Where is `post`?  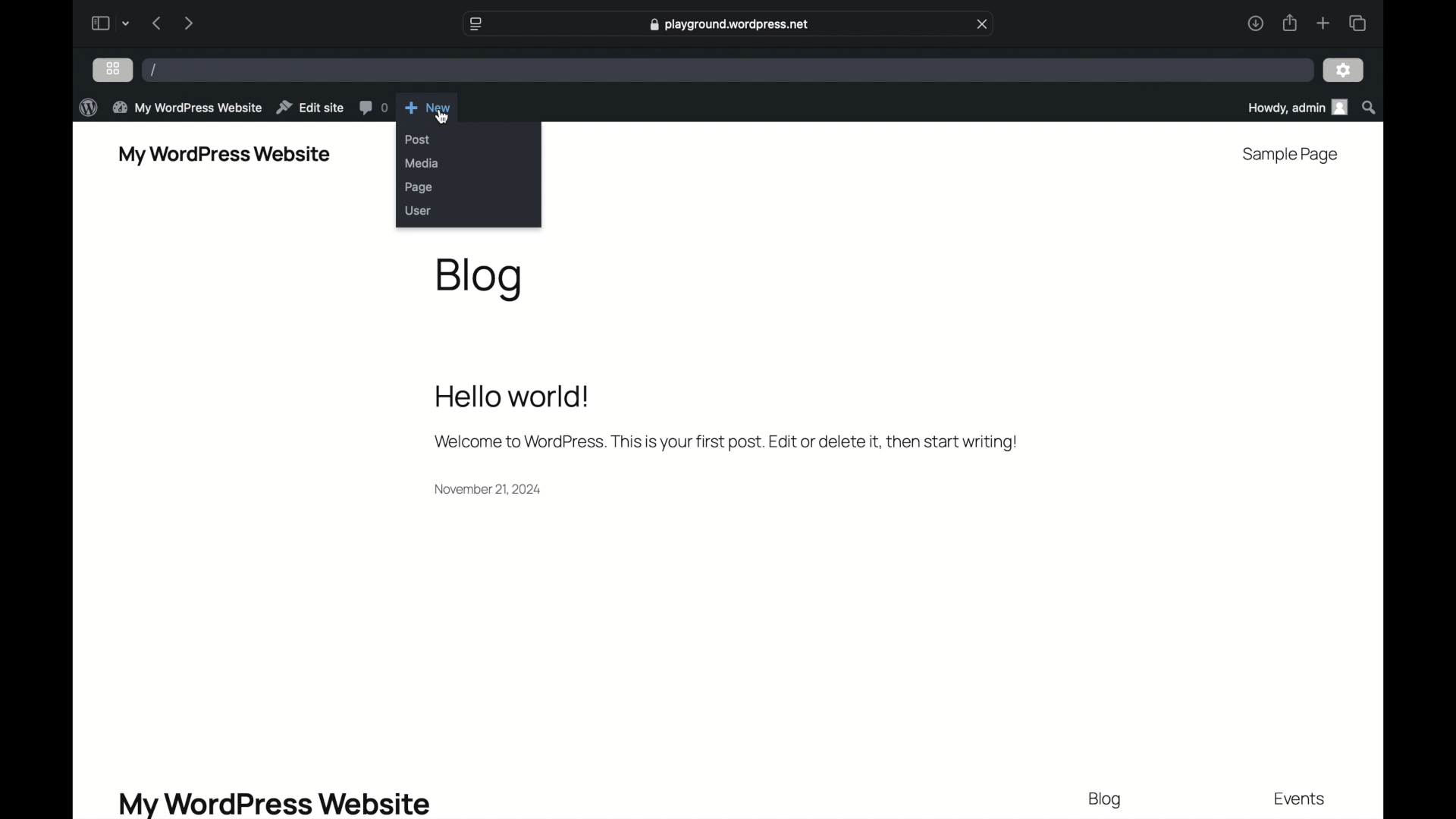
post is located at coordinates (417, 140).